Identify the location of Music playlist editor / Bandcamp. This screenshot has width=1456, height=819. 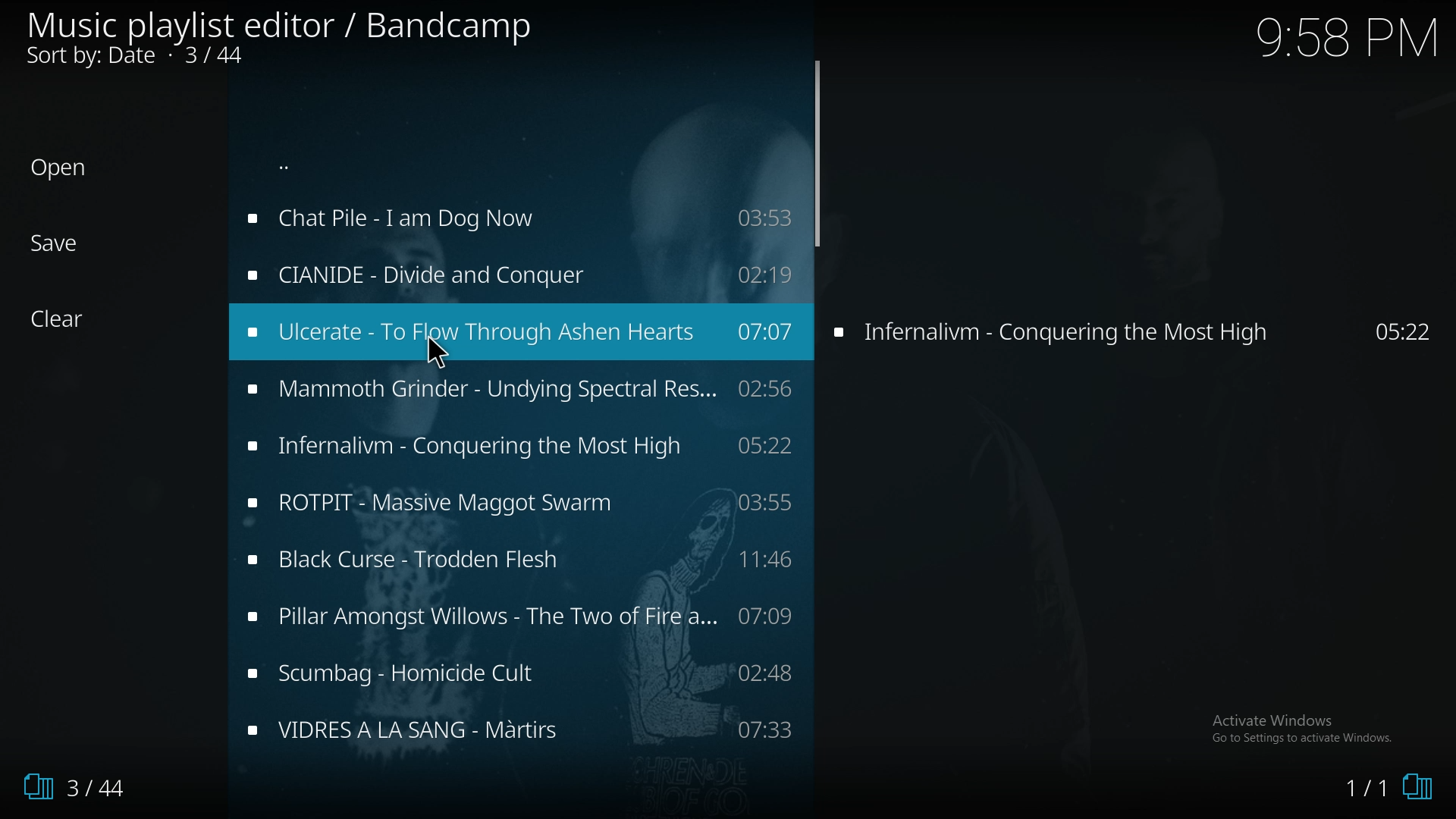
(281, 26).